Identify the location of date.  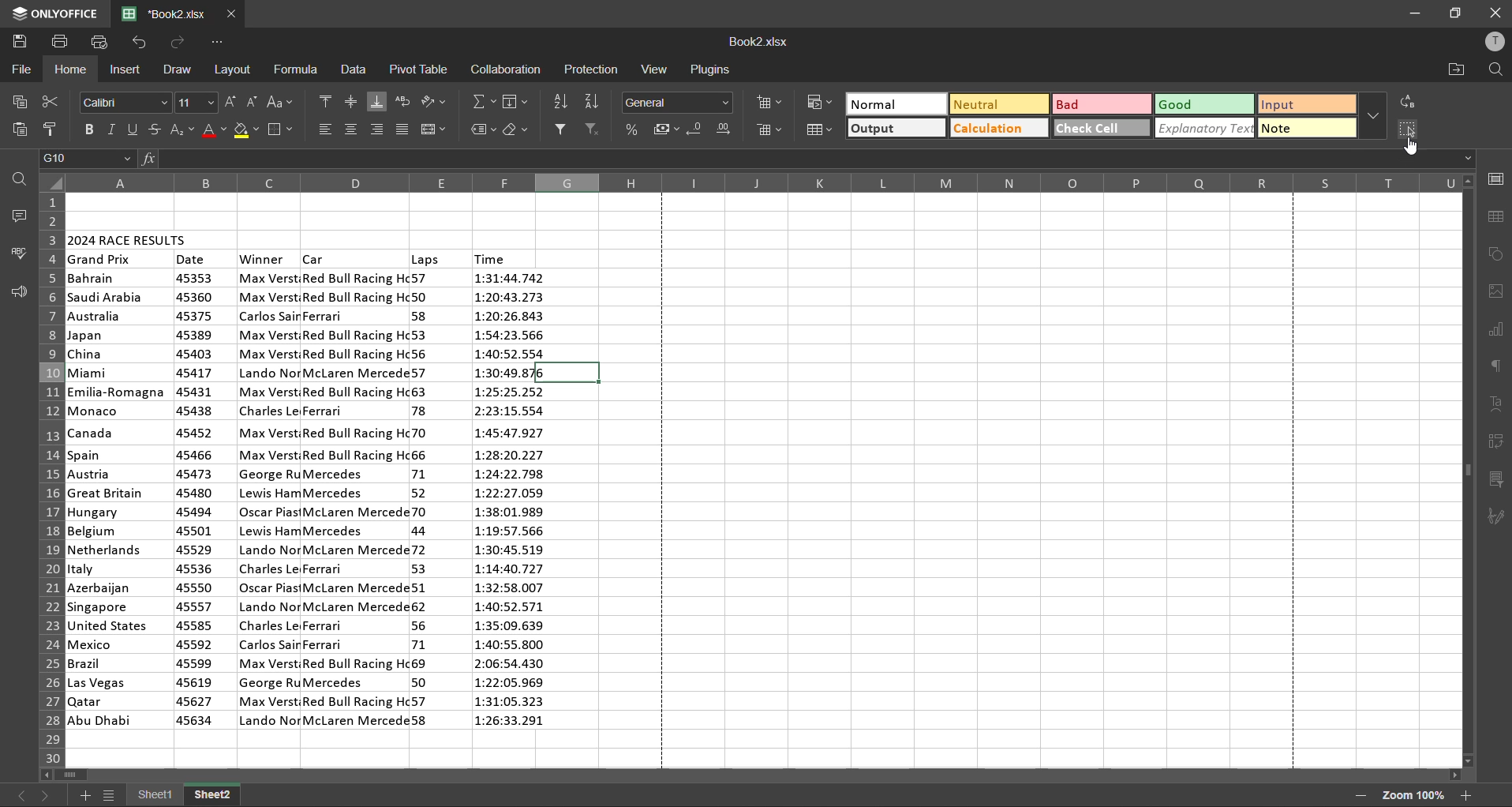
(196, 259).